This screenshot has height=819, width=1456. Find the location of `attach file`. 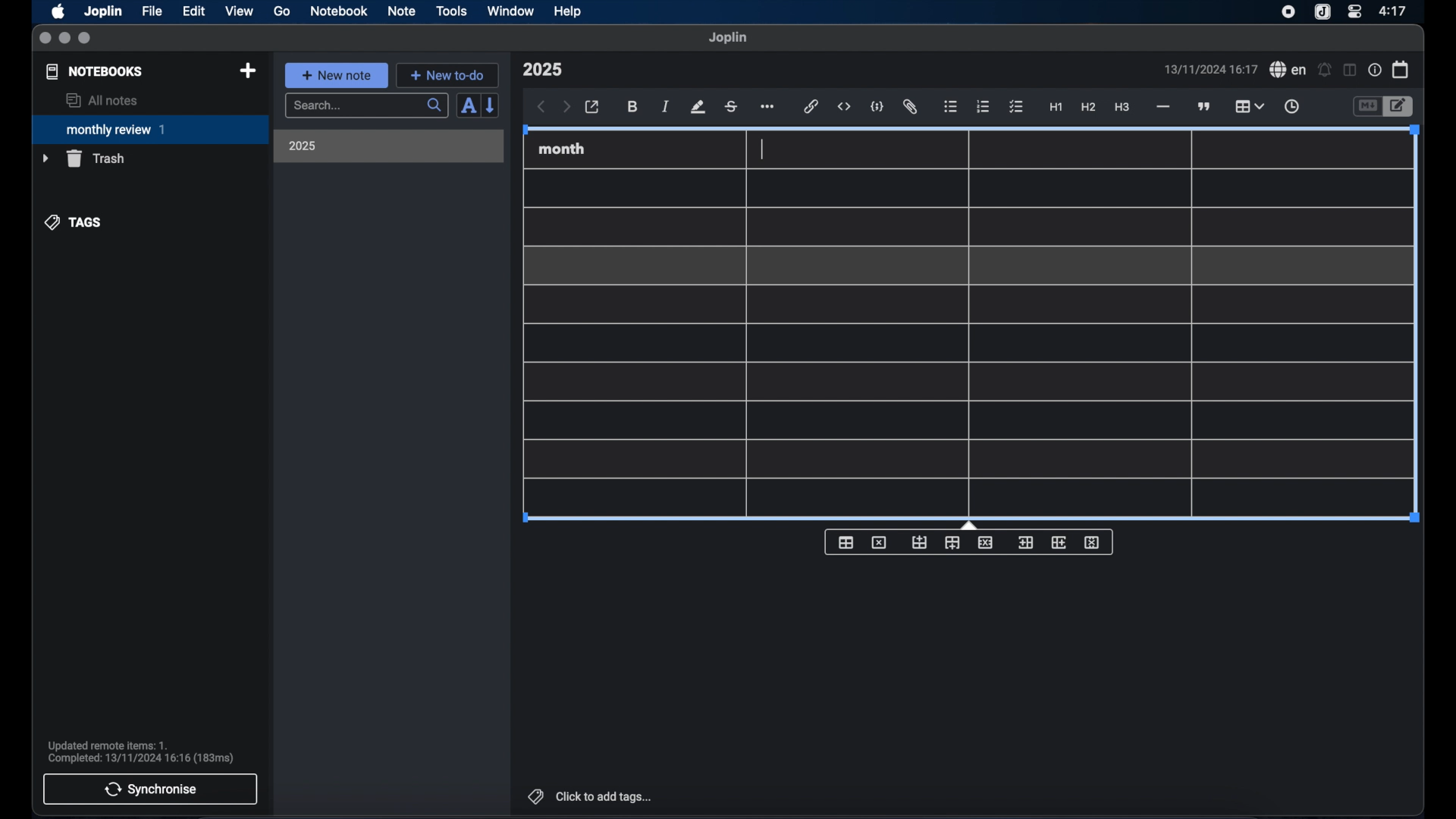

attach file is located at coordinates (910, 107).